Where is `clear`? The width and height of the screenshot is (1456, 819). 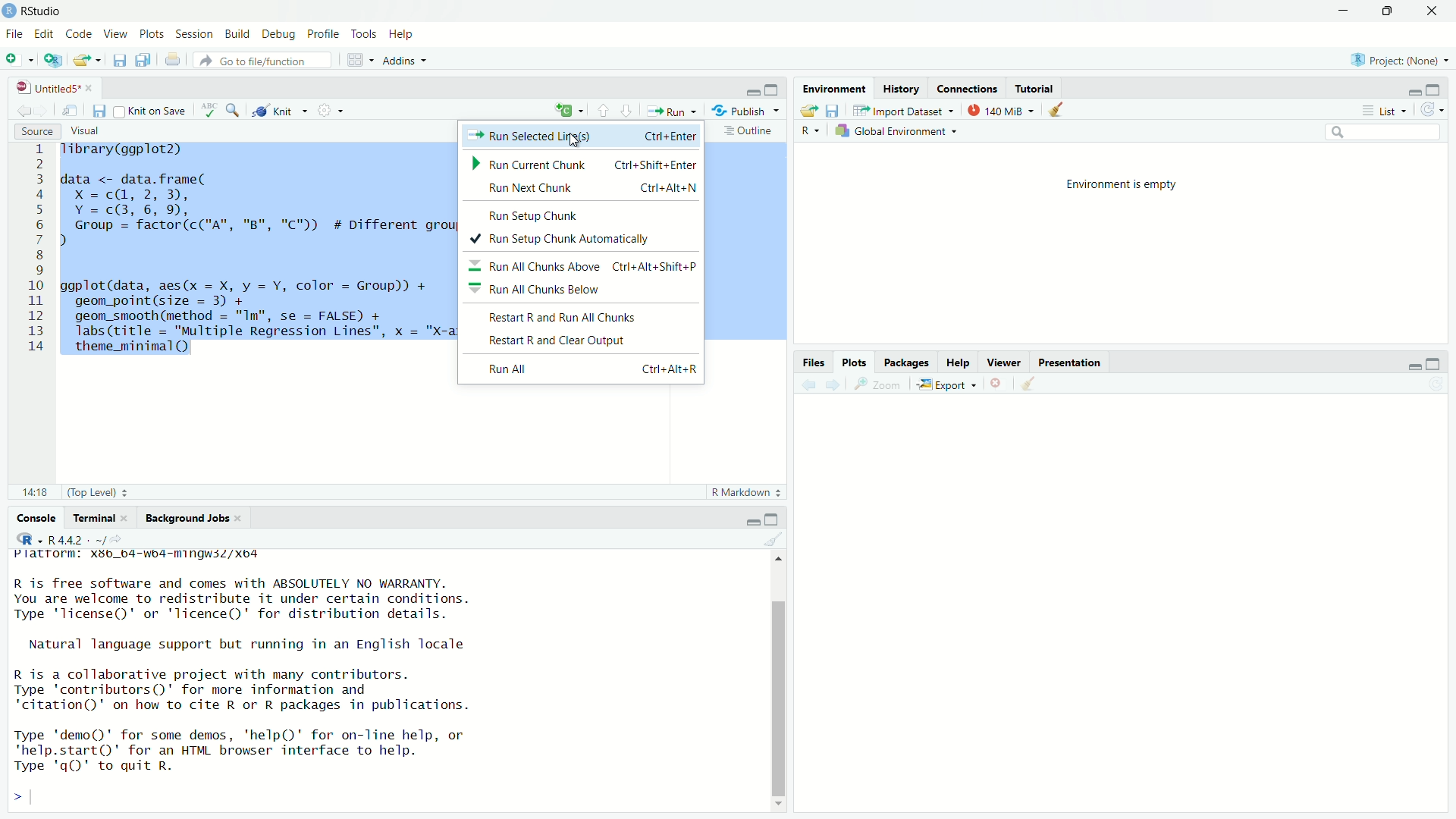 clear is located at coordinates (1040, 384).